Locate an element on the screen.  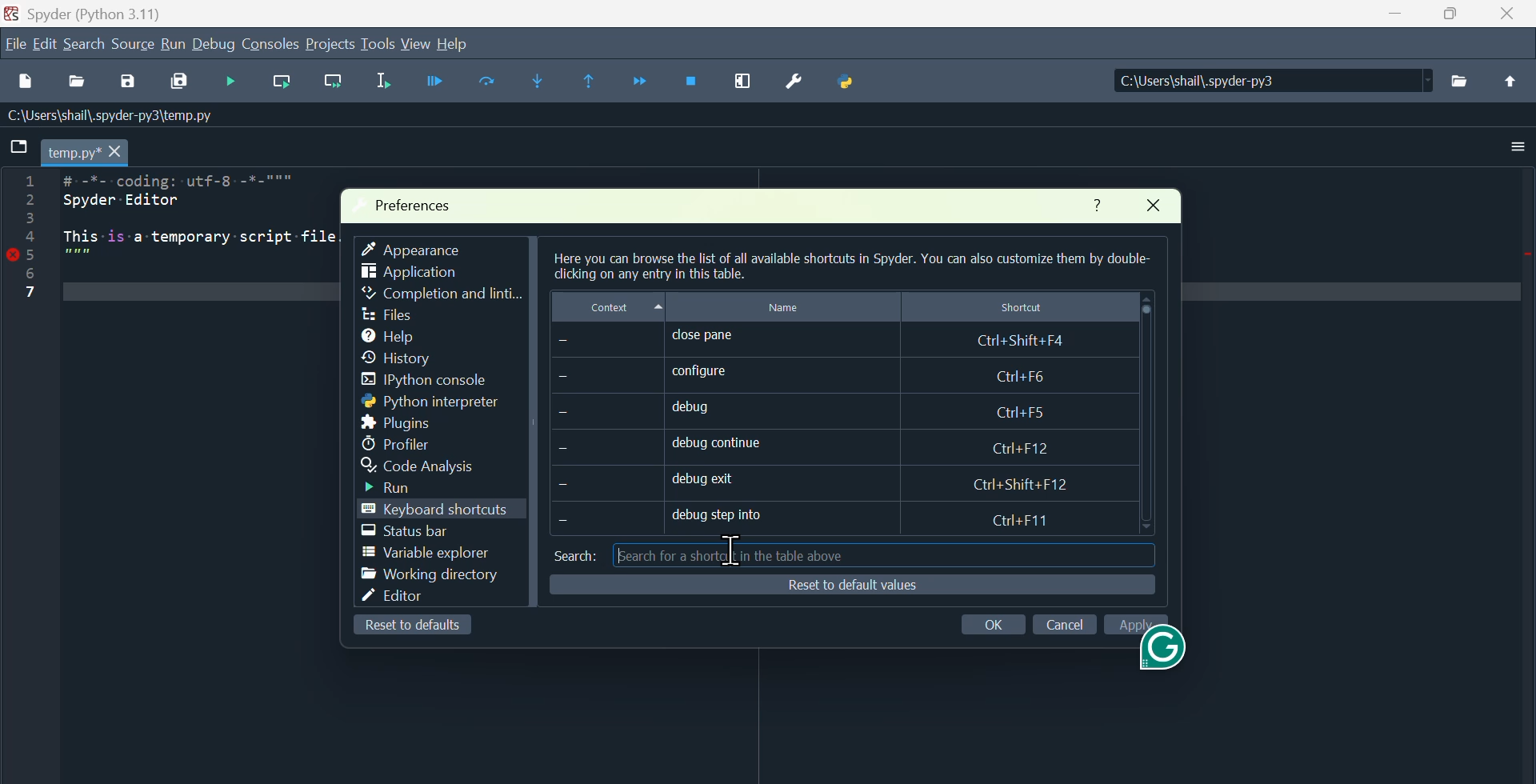
history is located at coordinates (404, 359).